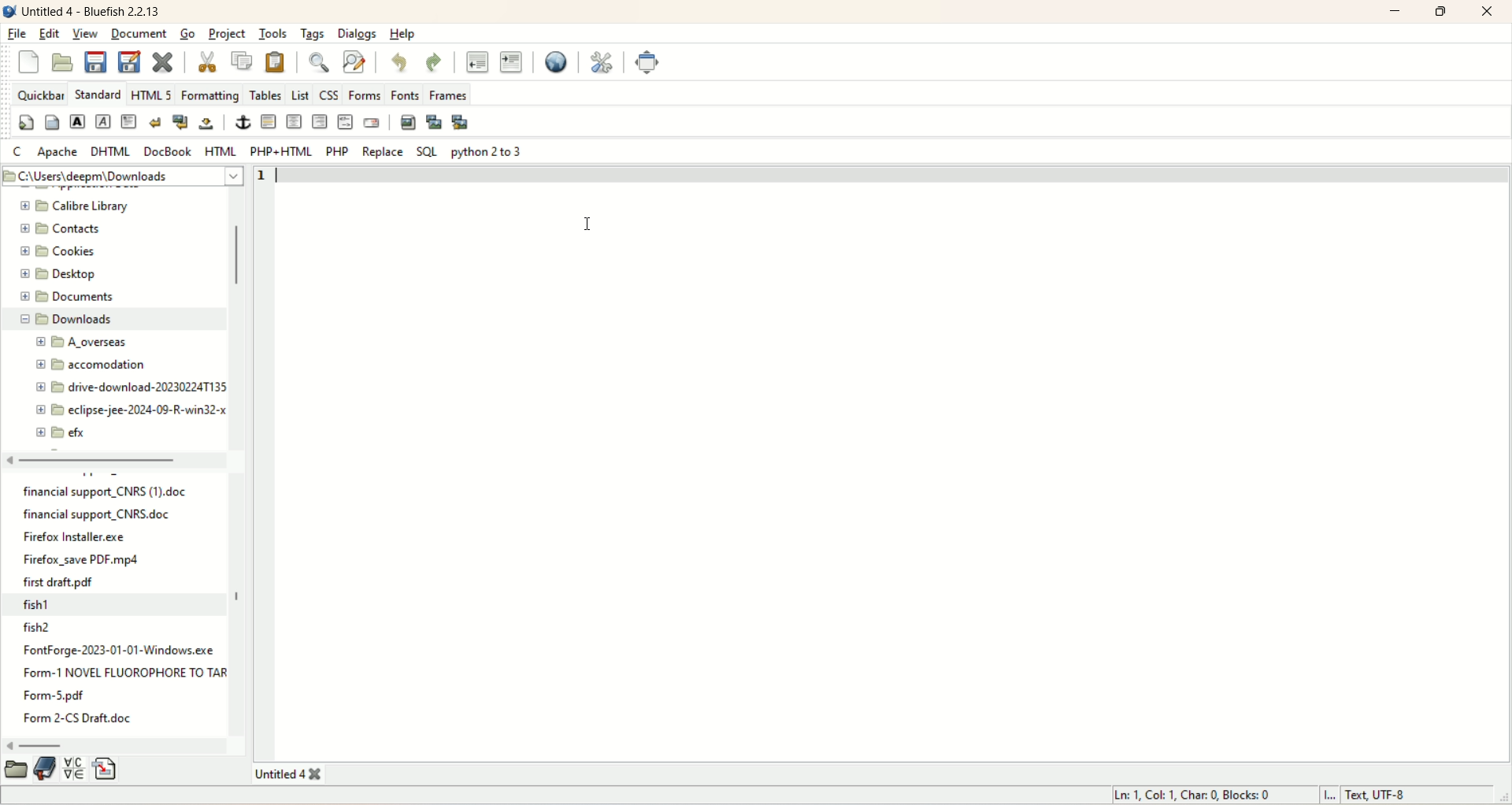 This screenshot has width=1512, height=805. What do you see at coordinates (475, 63) in the screenshot?
I see `unindent` at bounding box center [475, 63].